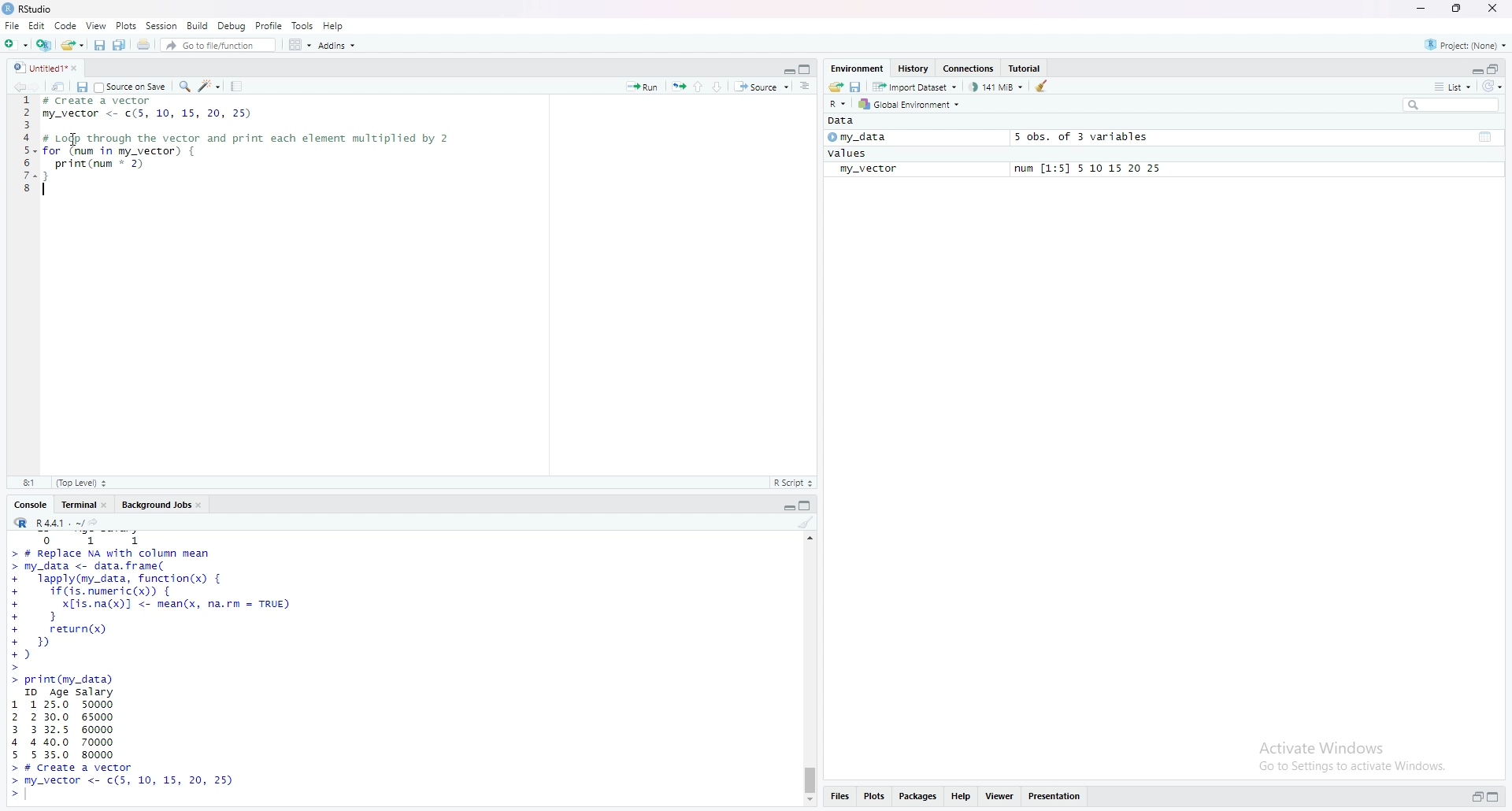  What do you see at coordinates (132, 86) in the screenshot?
I see `source on save` at bounding box center [132, 86].